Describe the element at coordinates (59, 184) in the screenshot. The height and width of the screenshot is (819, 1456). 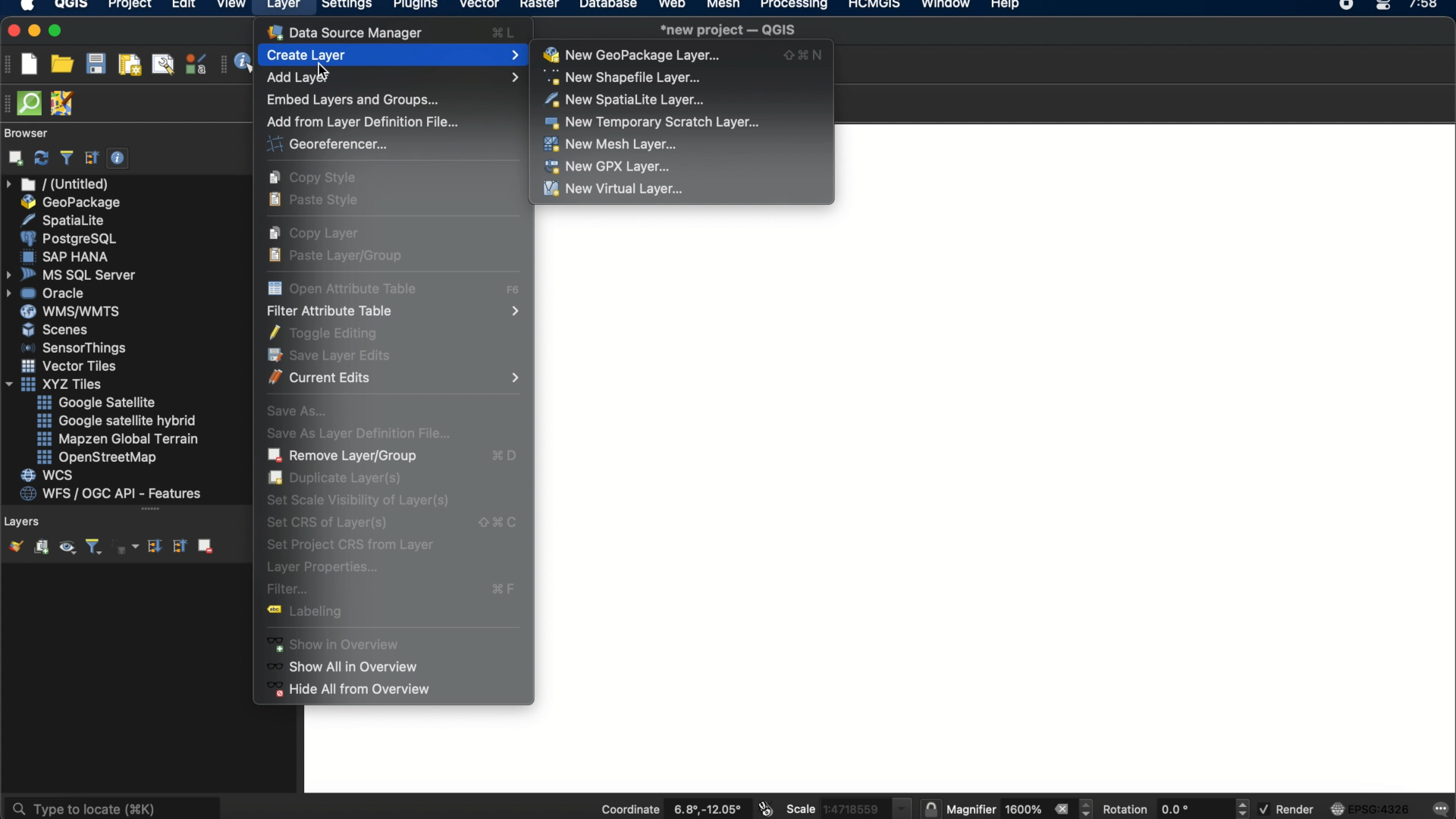
I see `untitled` at that location.